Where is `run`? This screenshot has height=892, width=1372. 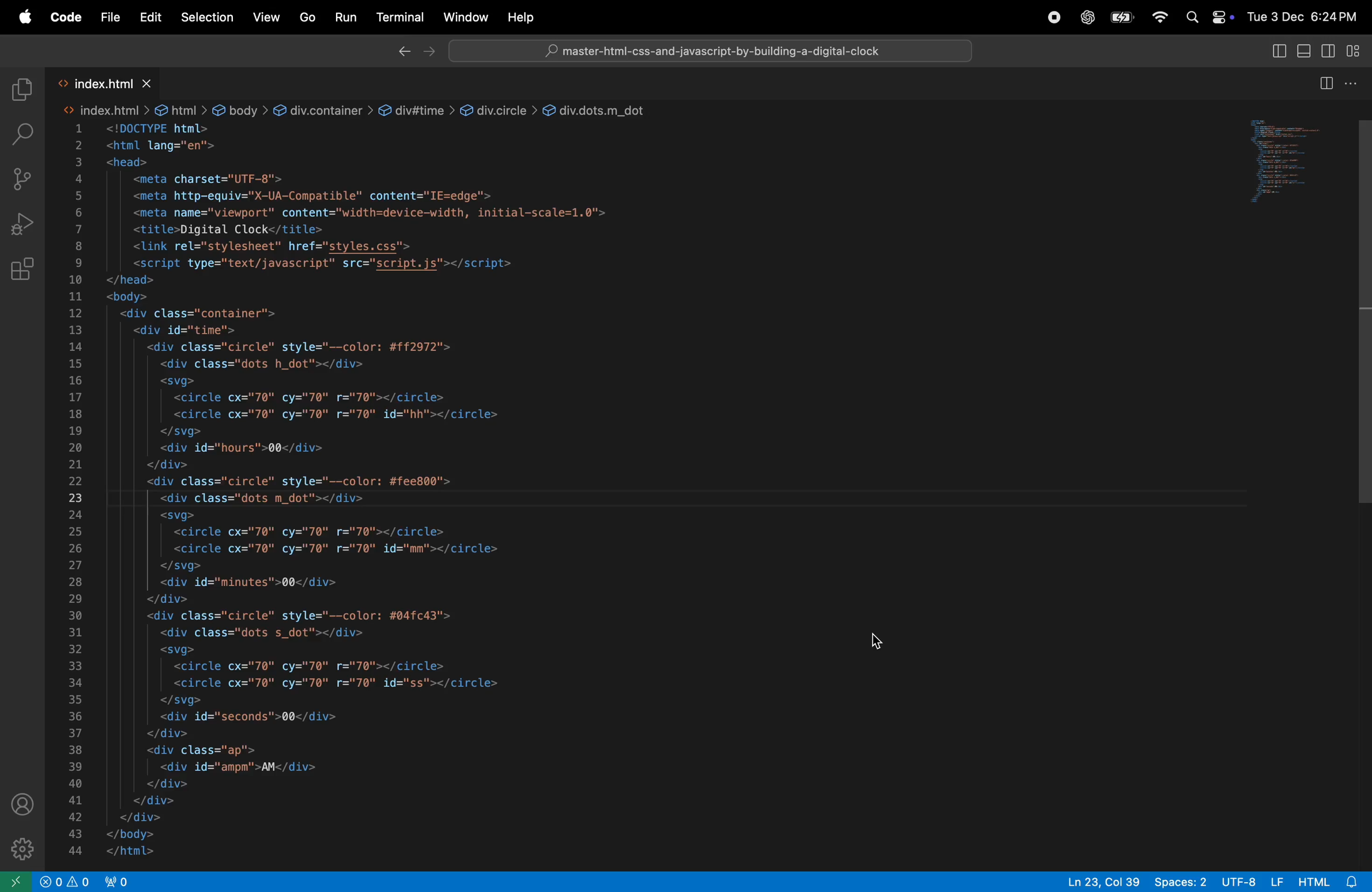
run is located at coordinates (346, 17).